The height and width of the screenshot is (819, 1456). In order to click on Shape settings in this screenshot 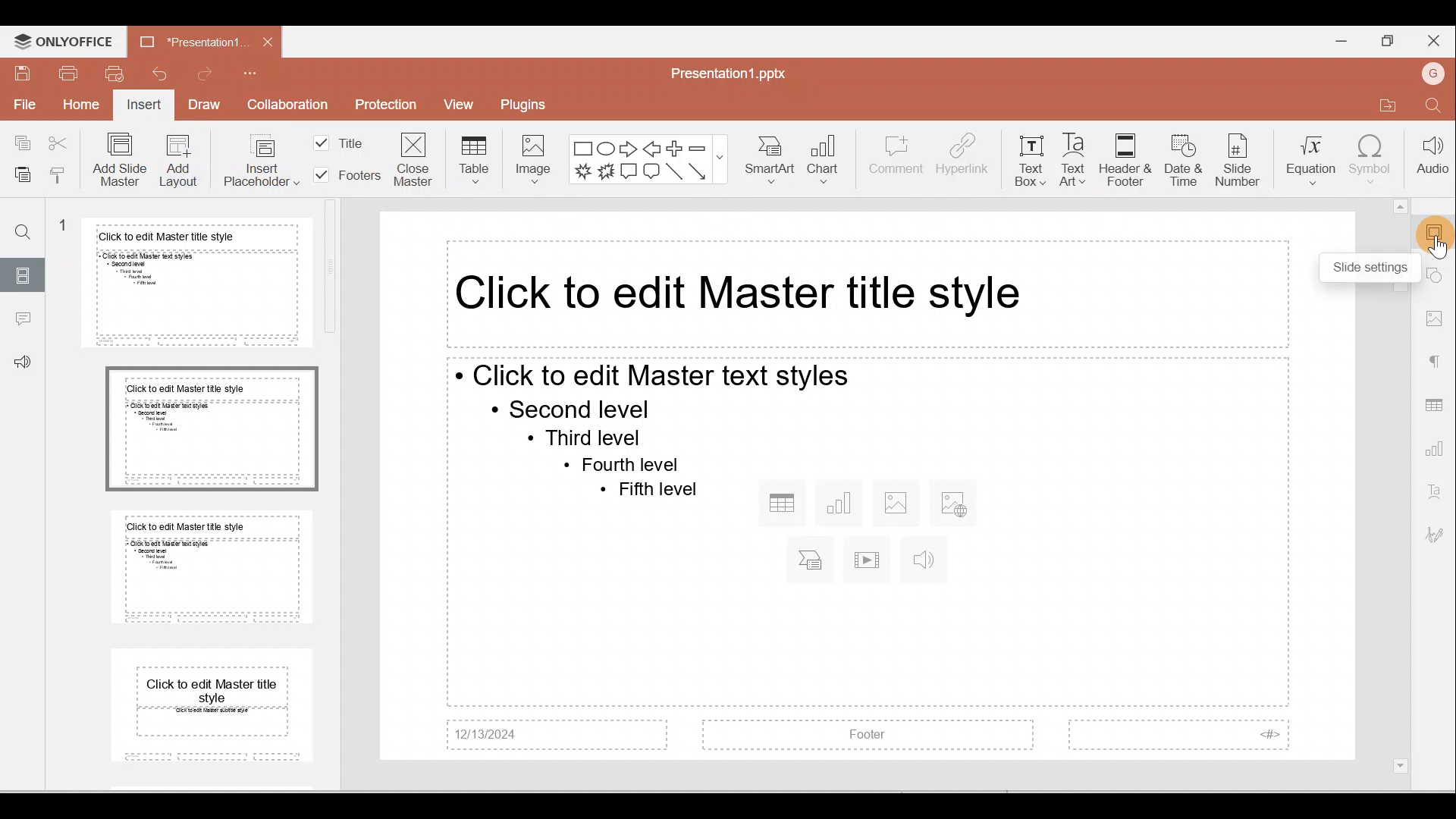, I will do `click(1439, 277)`.